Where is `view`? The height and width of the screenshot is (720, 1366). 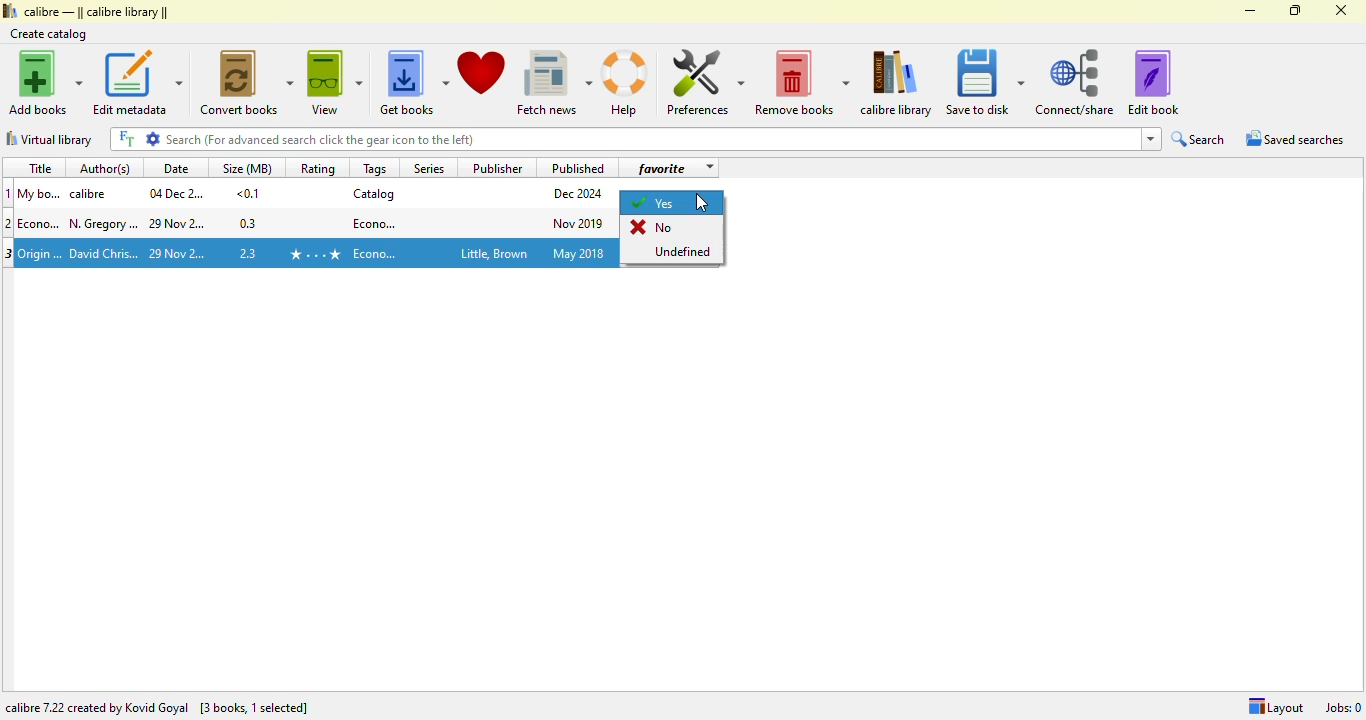
view is located at coordinates (335, 82).